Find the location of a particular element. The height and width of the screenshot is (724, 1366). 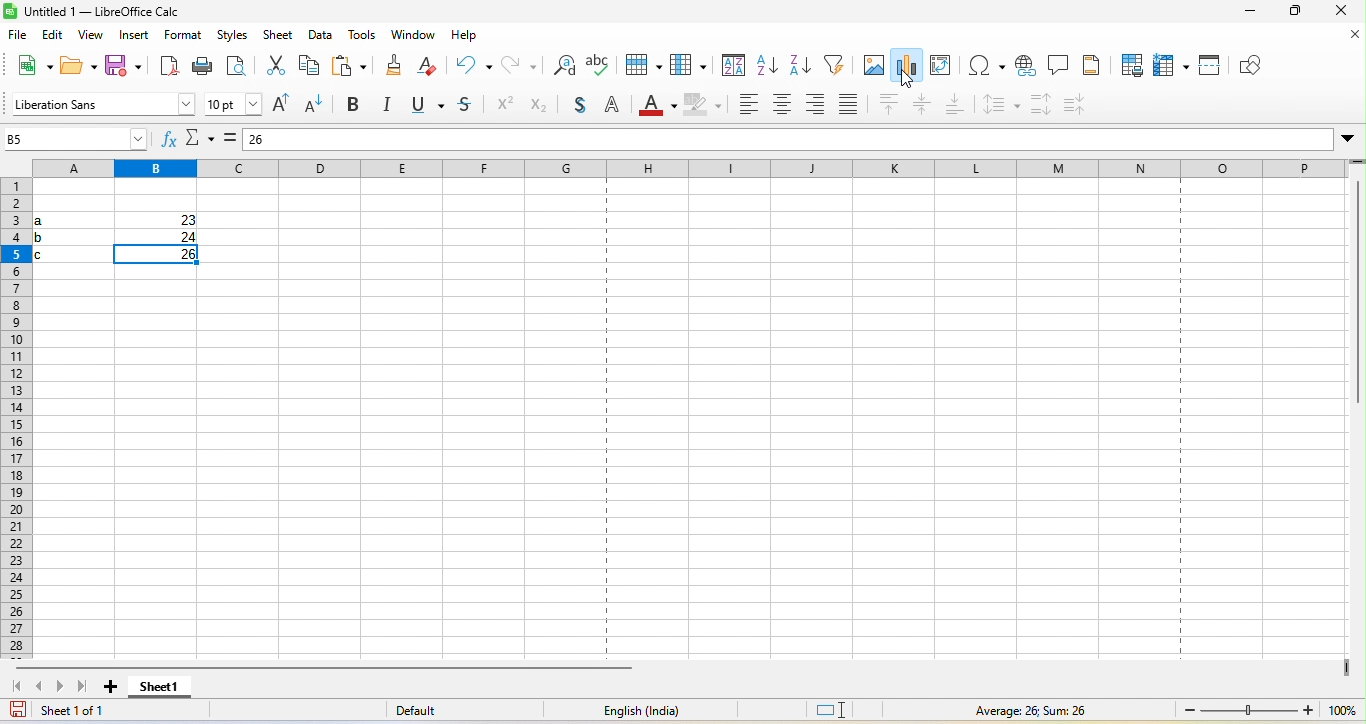

standard selection is located at coordinates (840, 709).